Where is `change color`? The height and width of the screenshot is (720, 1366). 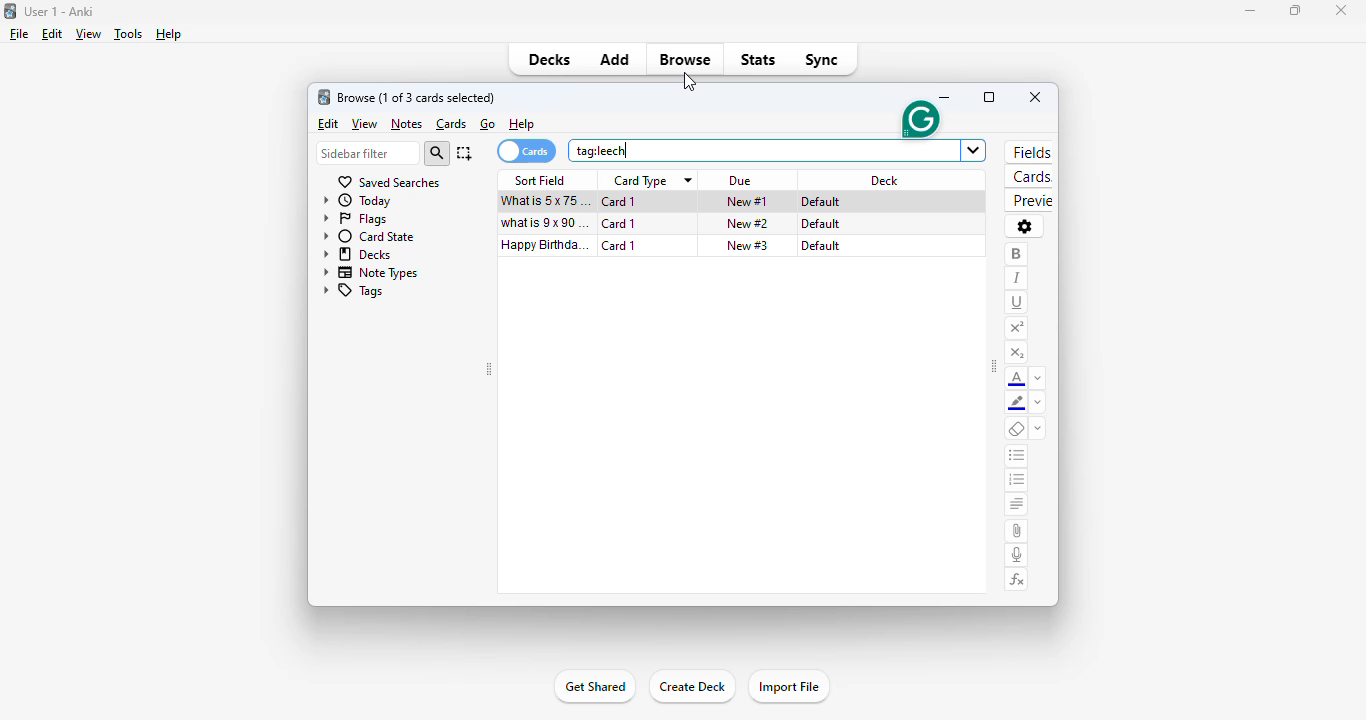 change color is located at coordinates (1039, 377).